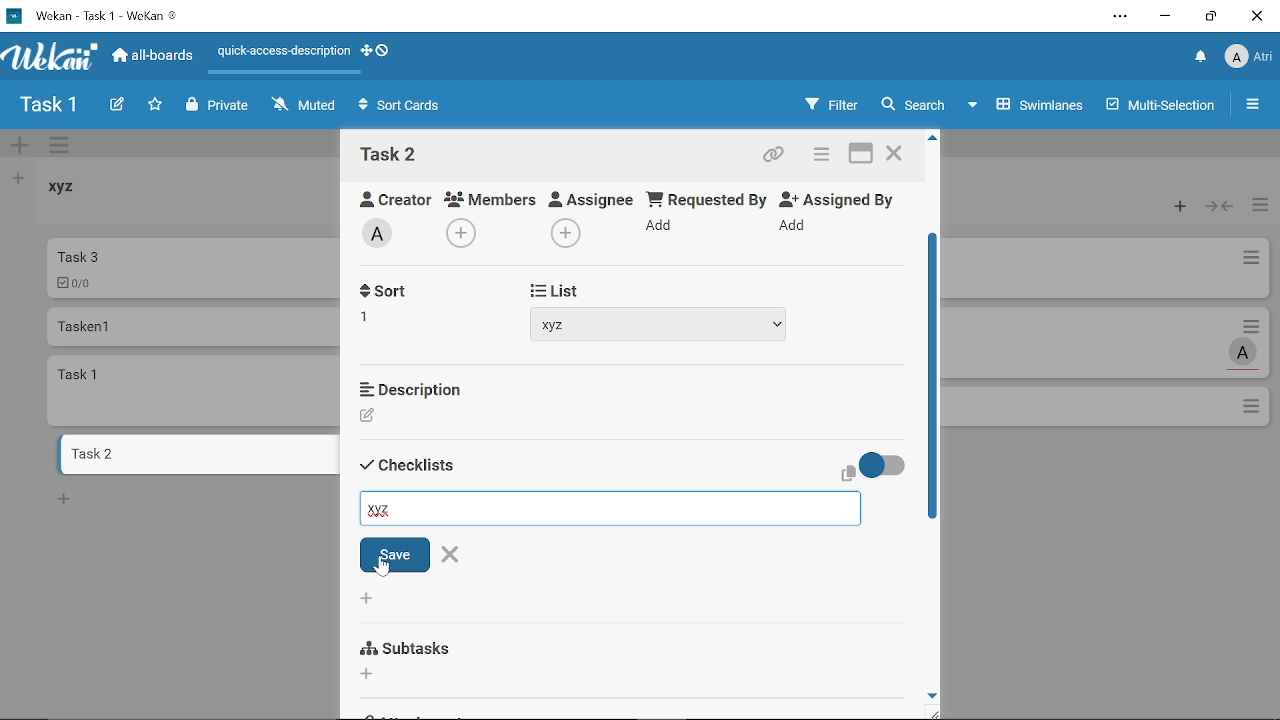  I want to click on Add, so click(662, 229).